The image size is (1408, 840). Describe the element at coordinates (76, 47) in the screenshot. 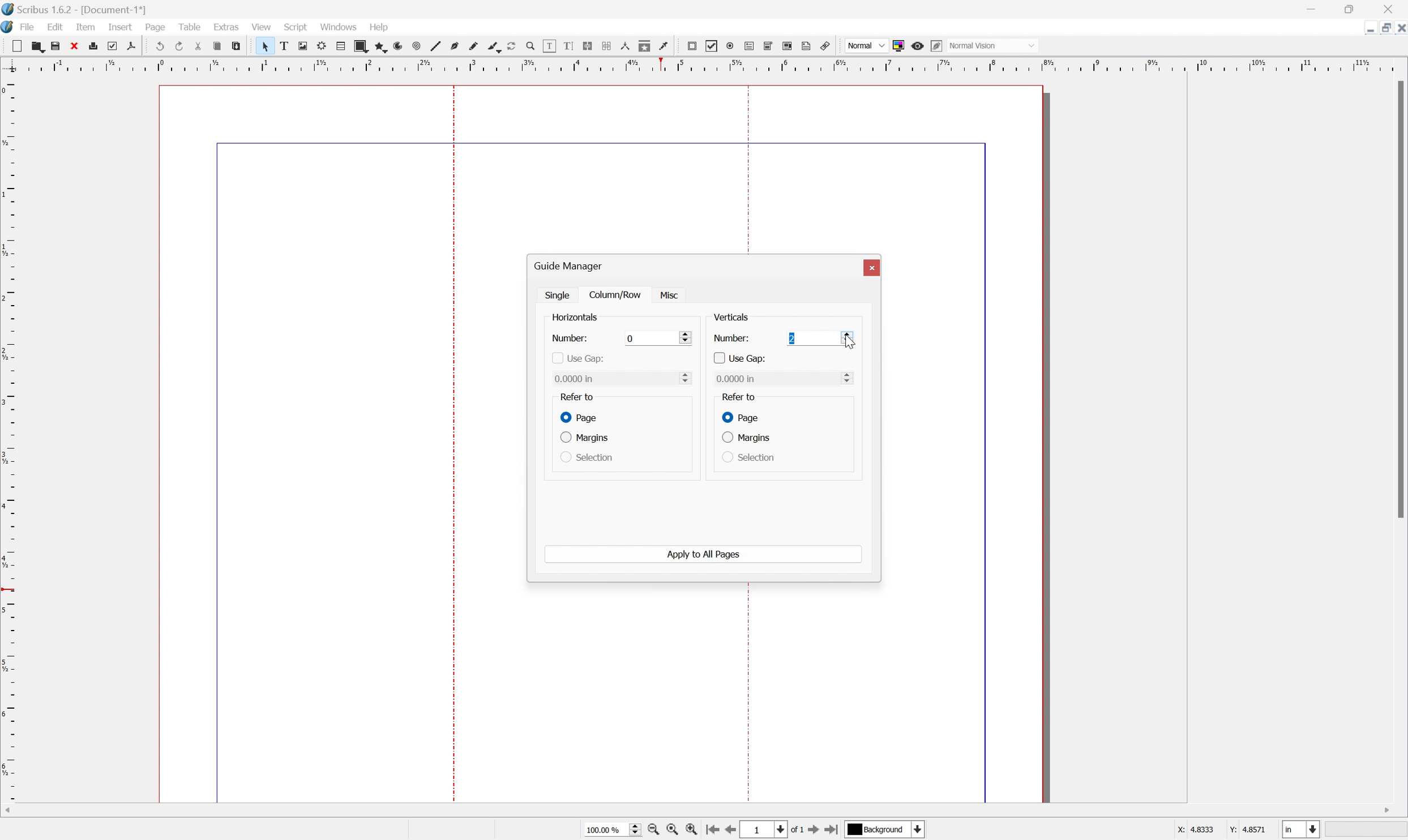

I see `close` at that location.